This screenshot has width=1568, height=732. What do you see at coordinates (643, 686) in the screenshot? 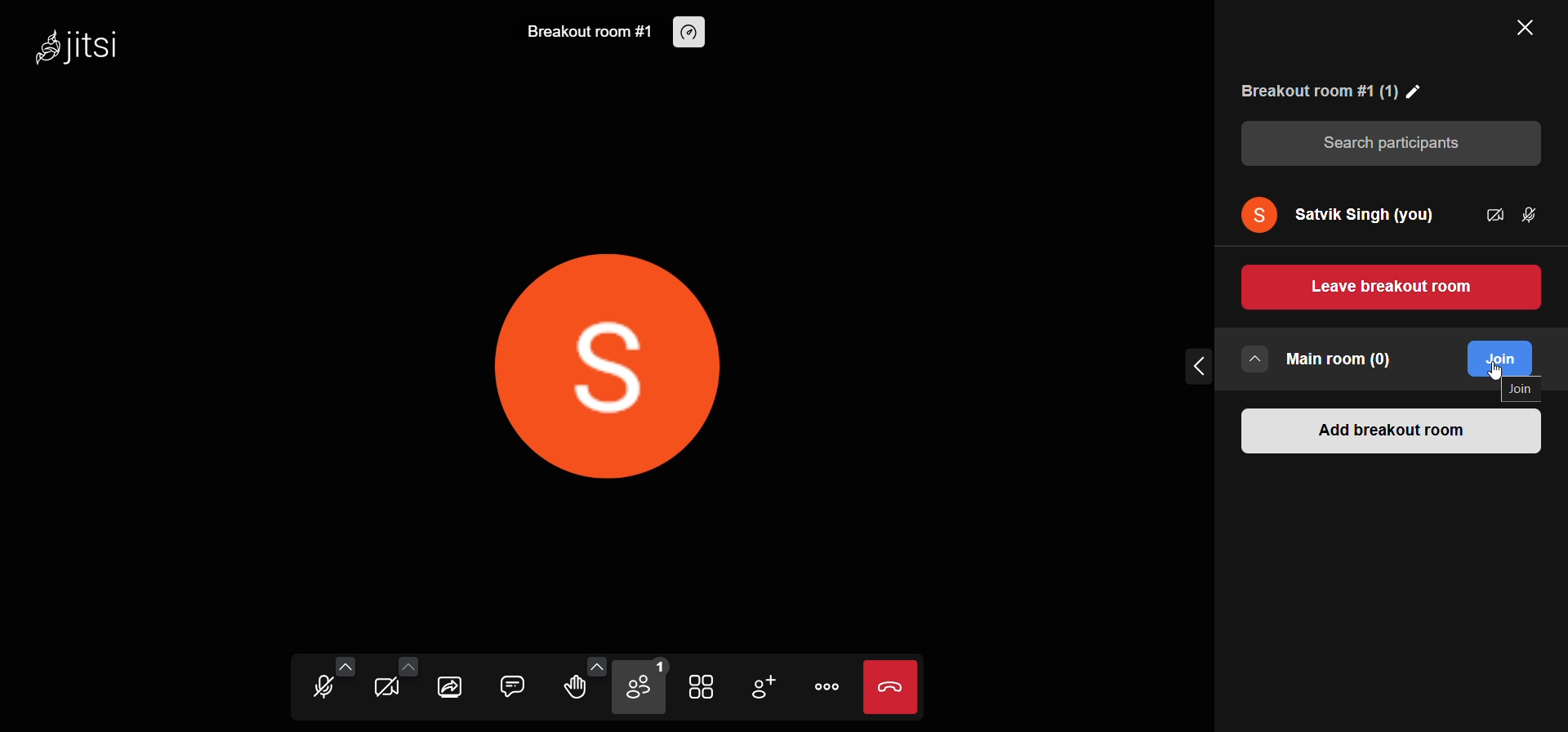
I see `participants` at bounding box center [643, 686].